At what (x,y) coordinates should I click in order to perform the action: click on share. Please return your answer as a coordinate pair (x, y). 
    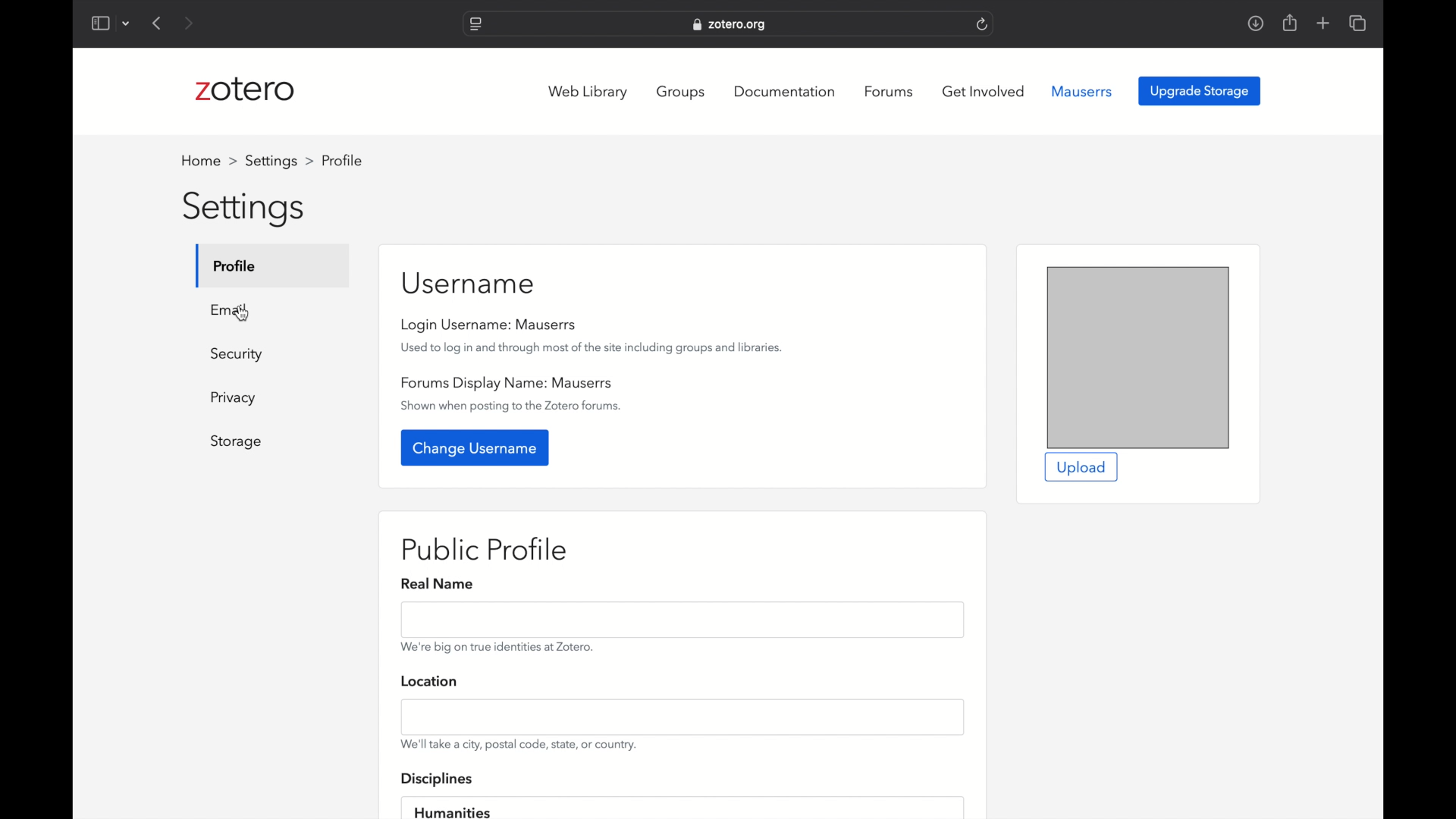
    Looking at the image, I should click on (1288, 23).